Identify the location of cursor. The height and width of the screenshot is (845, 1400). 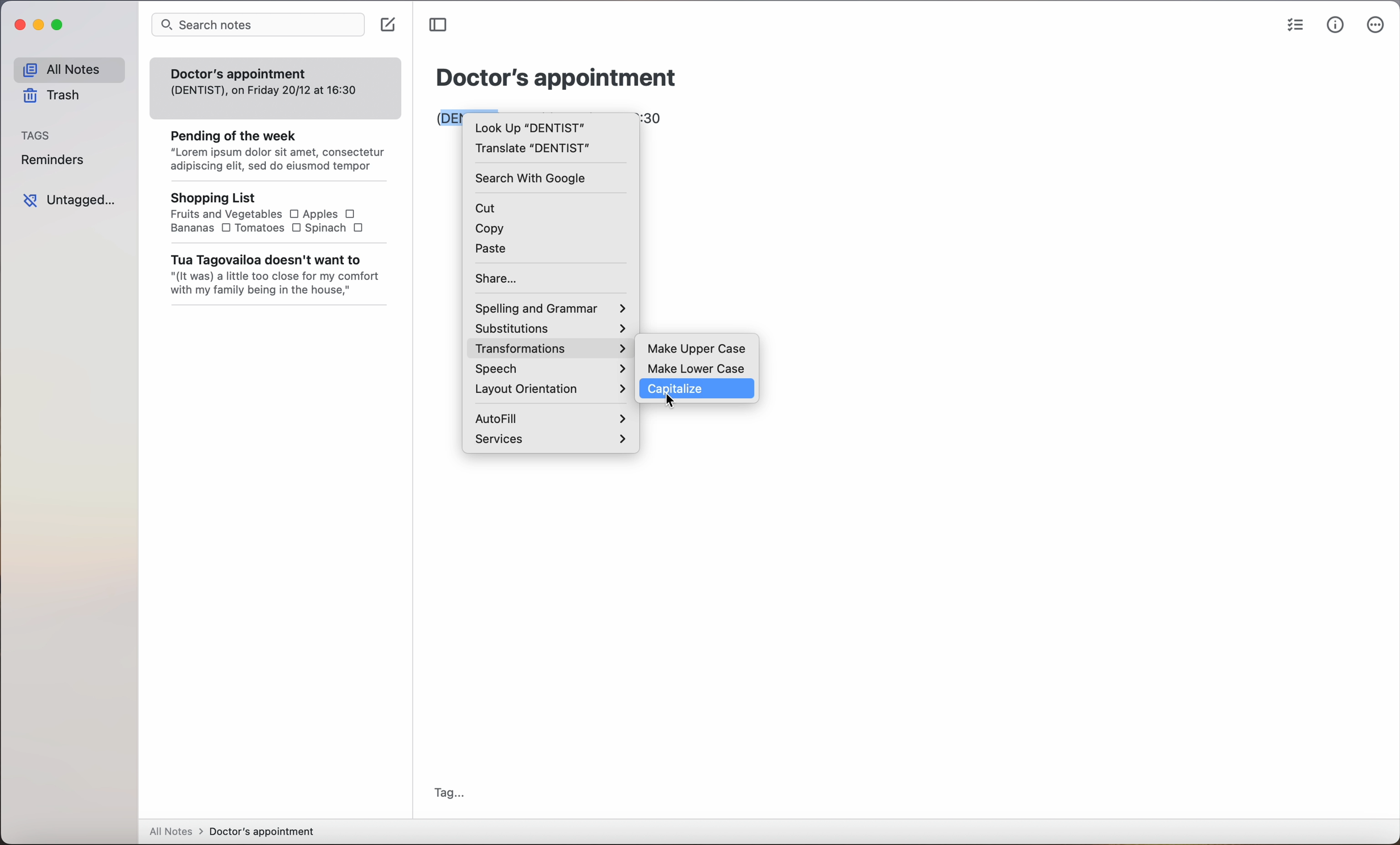
(670, 402).